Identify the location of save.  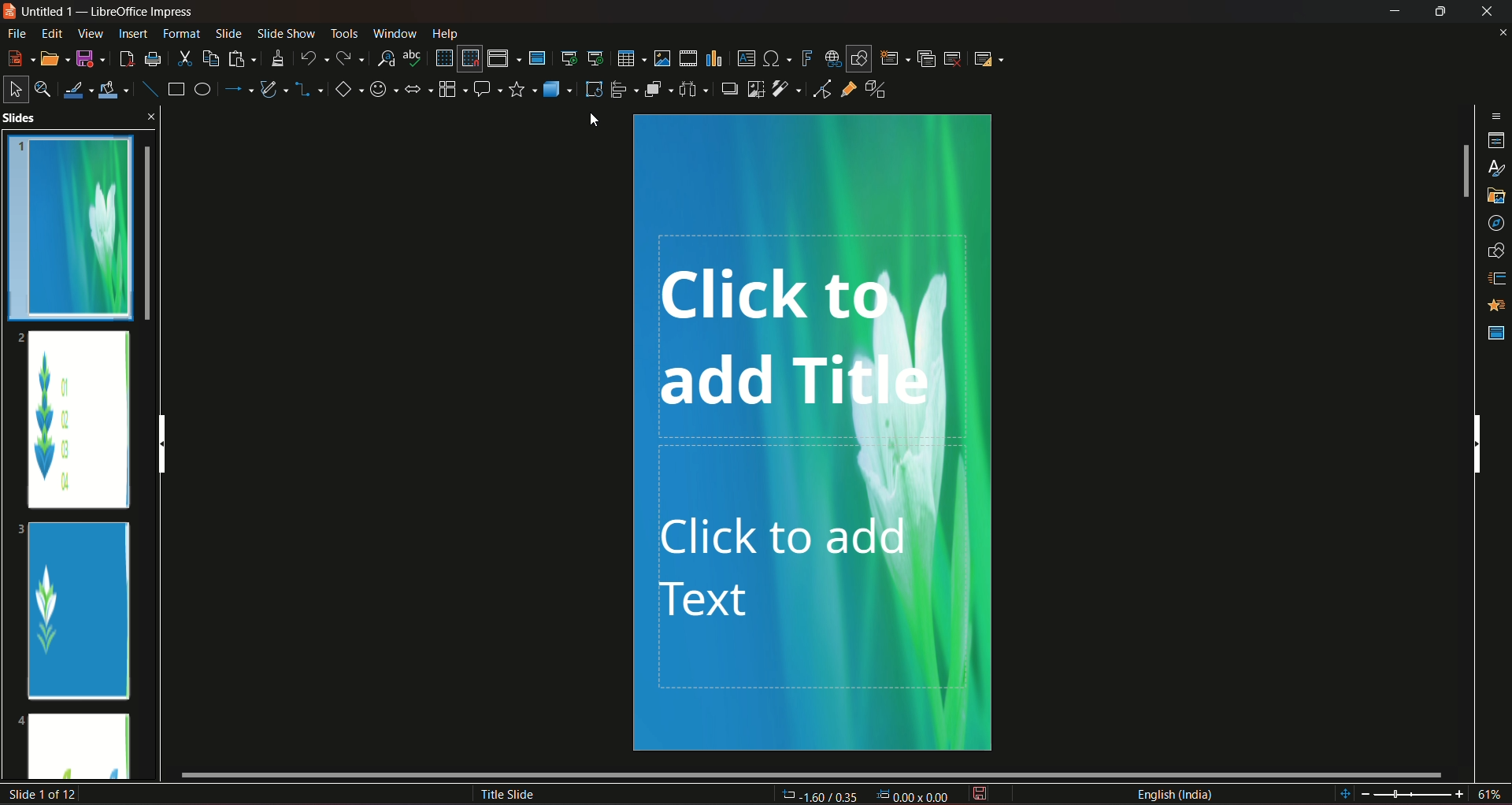
(91, 57).